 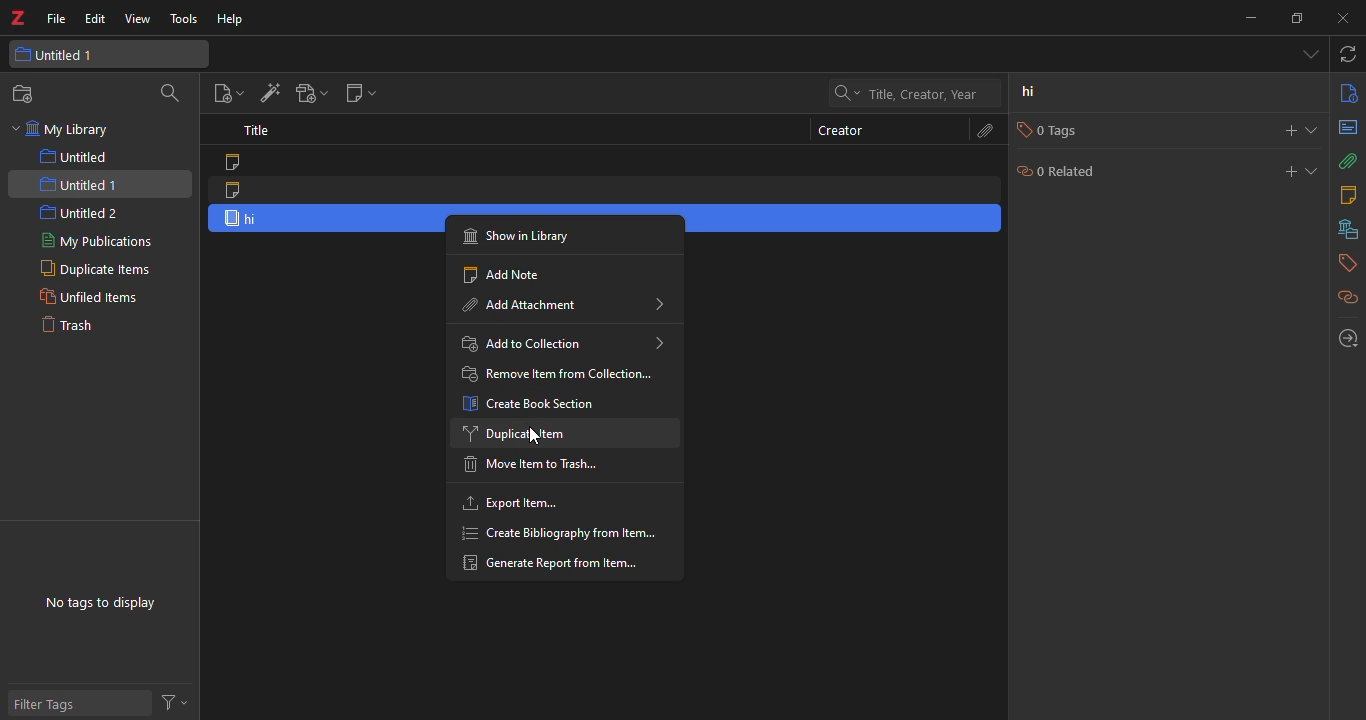 I want to click on add to collection, so click(x=562, y=344).